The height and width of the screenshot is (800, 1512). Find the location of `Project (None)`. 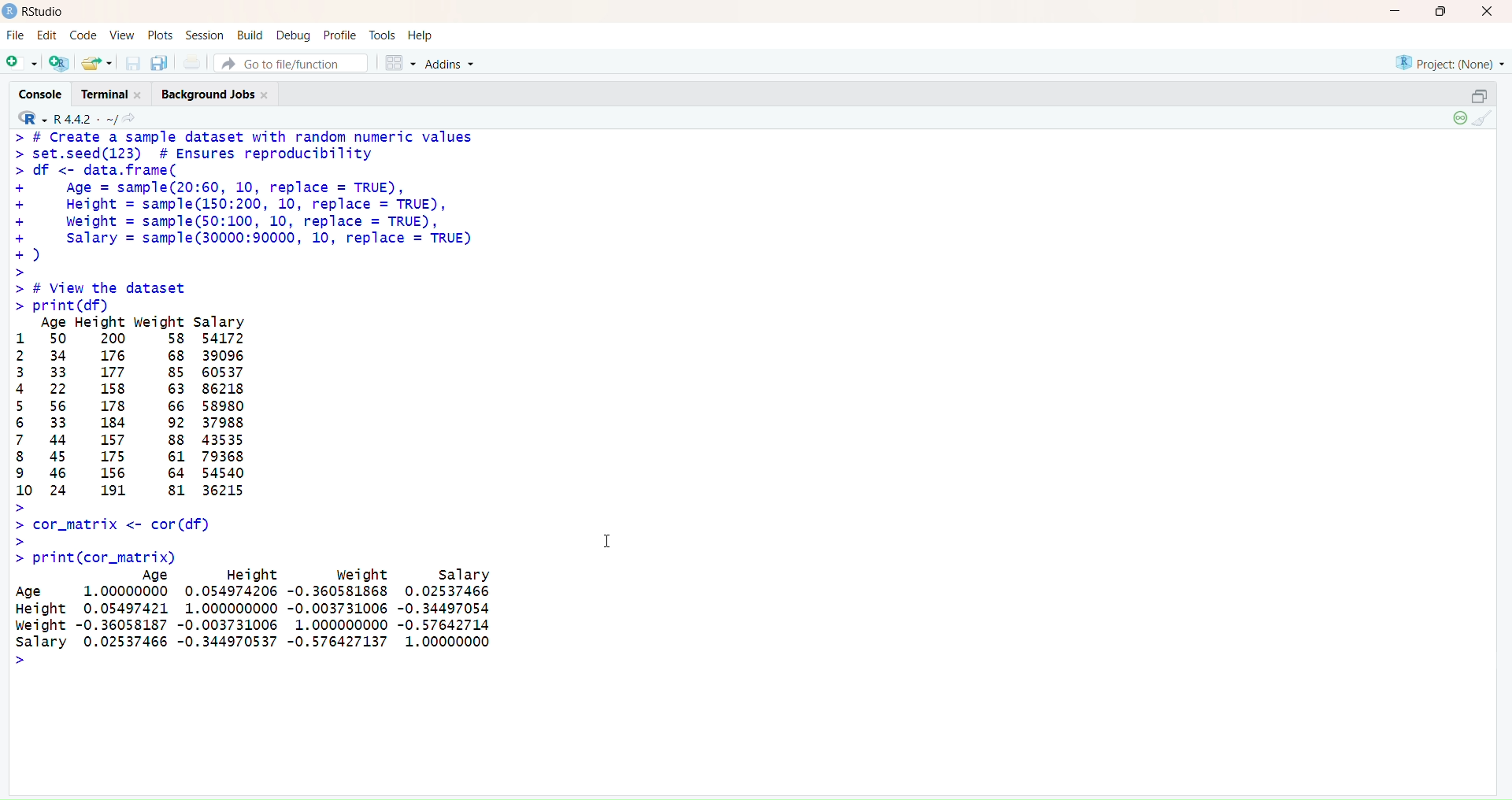

Project (None) is located at coordinates (1452, 65).